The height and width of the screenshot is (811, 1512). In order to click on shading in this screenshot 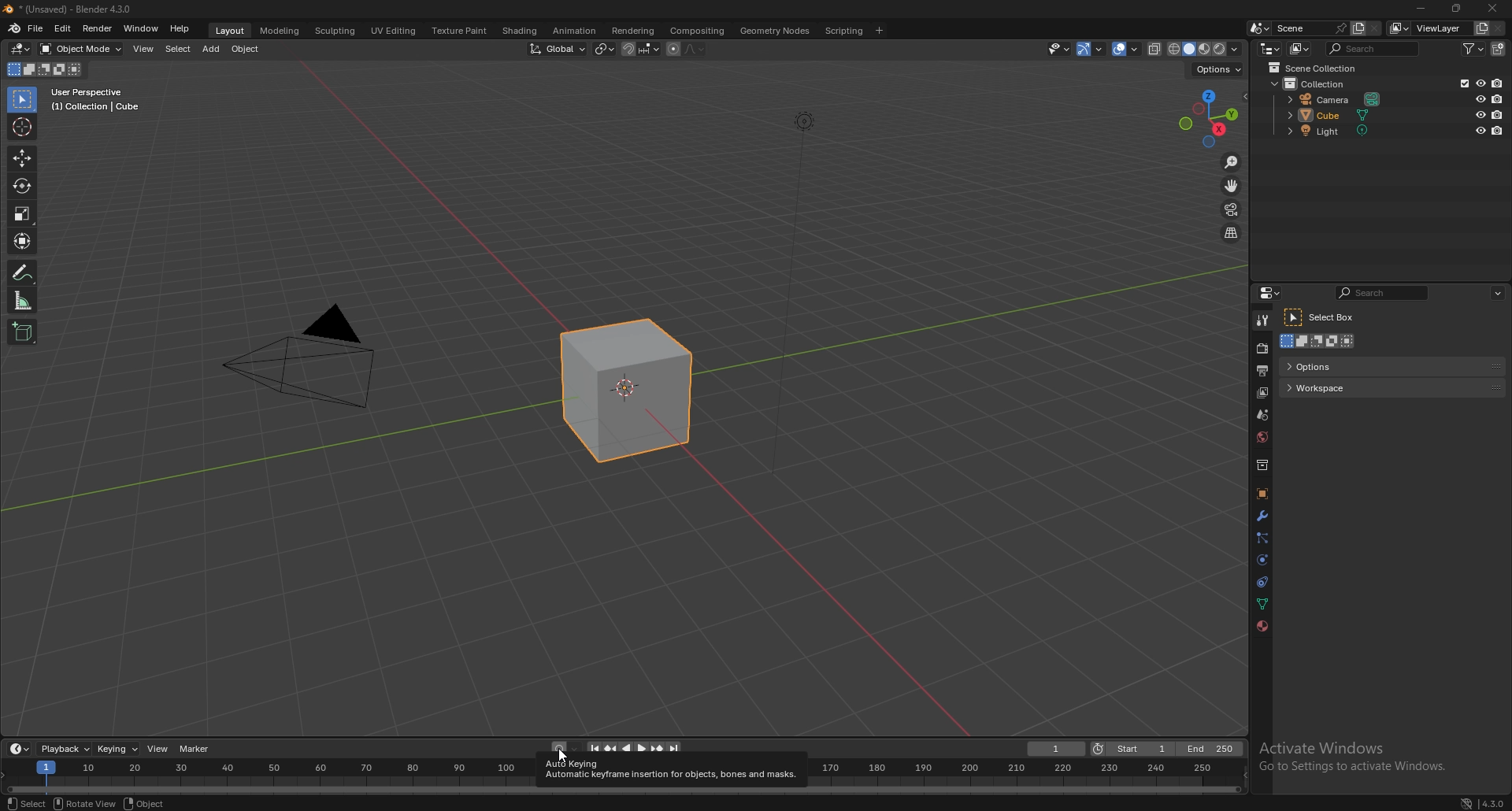, I will do `click(519, 30)`.